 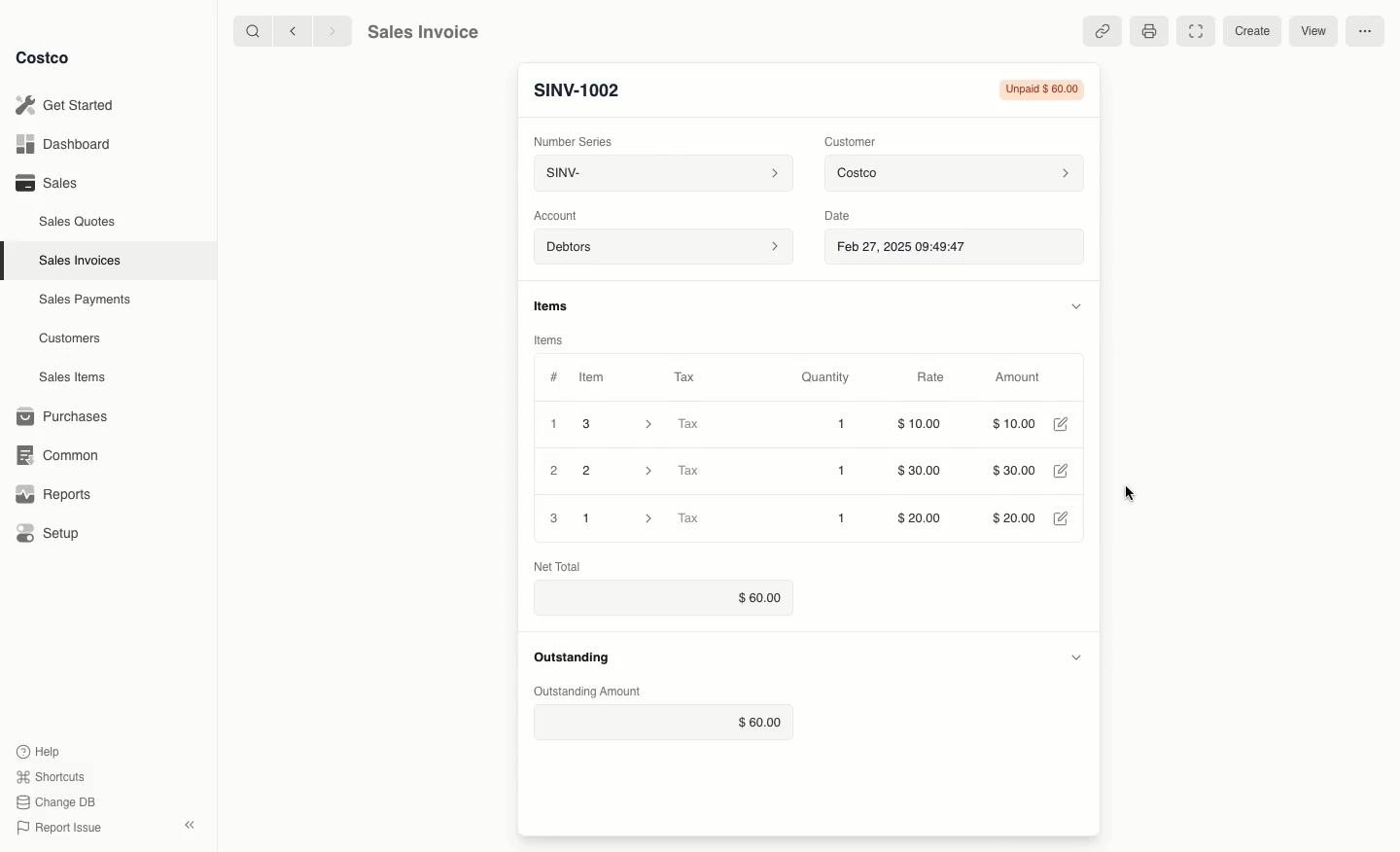 I want to click on Sales Invoice, so click(x=422, y=32).